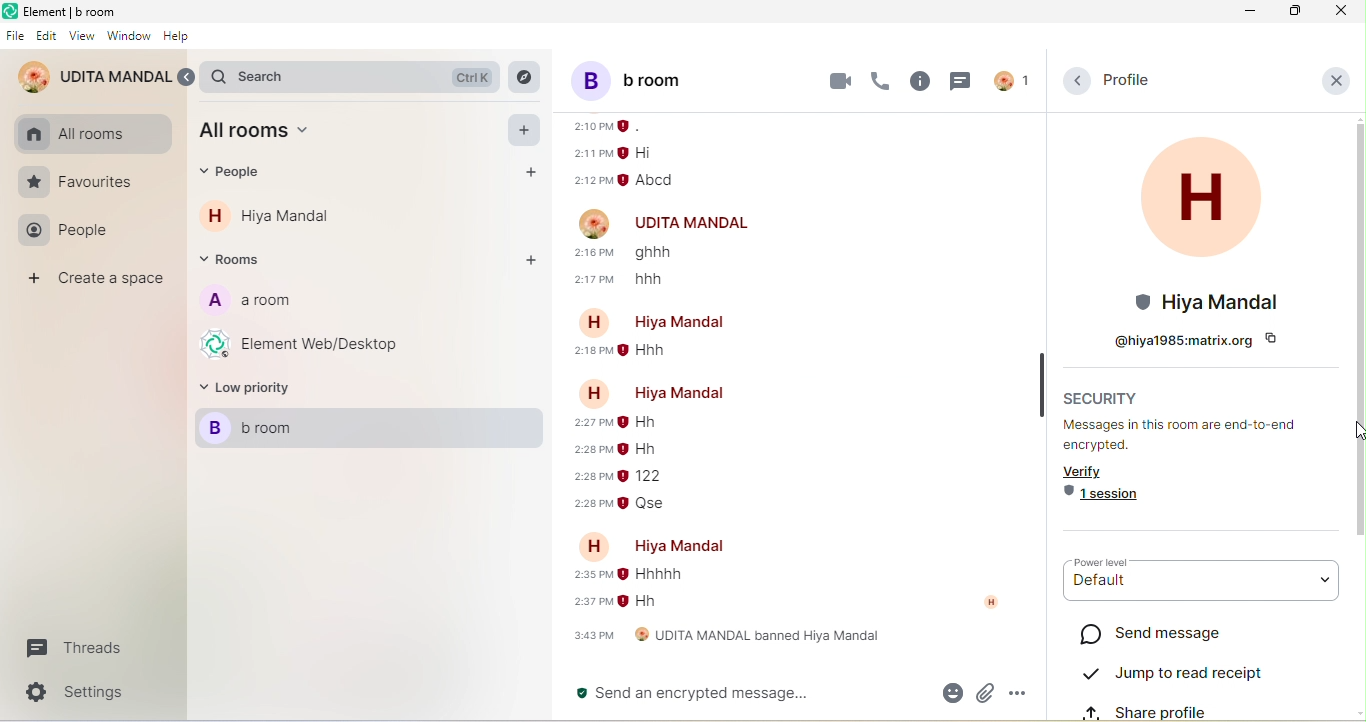 The height and width of the screenshot is (722, 1366). I want to click on a room, so click(247, 303).